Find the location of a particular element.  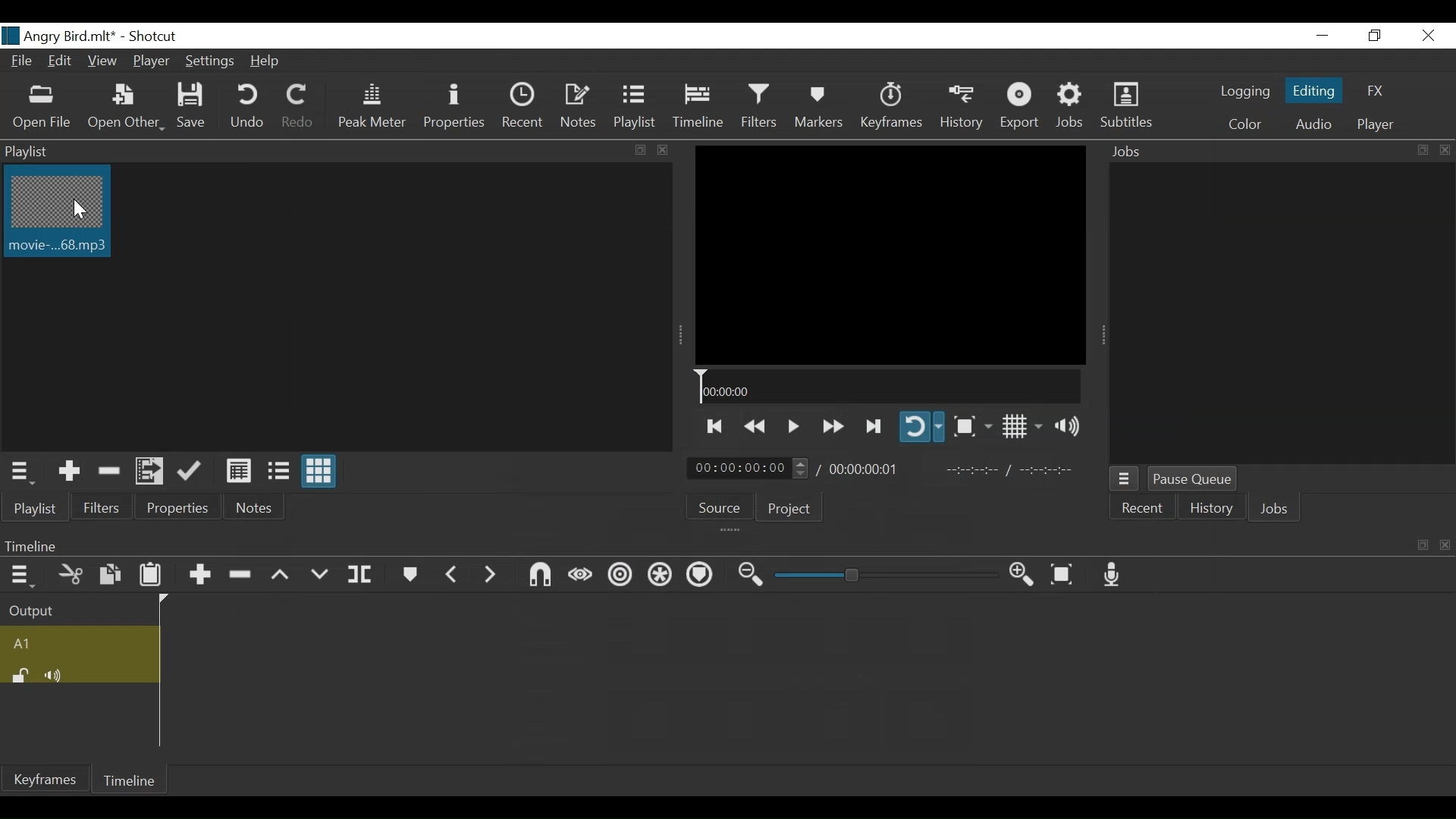

Current Duration is located at coordinates (752, 468).